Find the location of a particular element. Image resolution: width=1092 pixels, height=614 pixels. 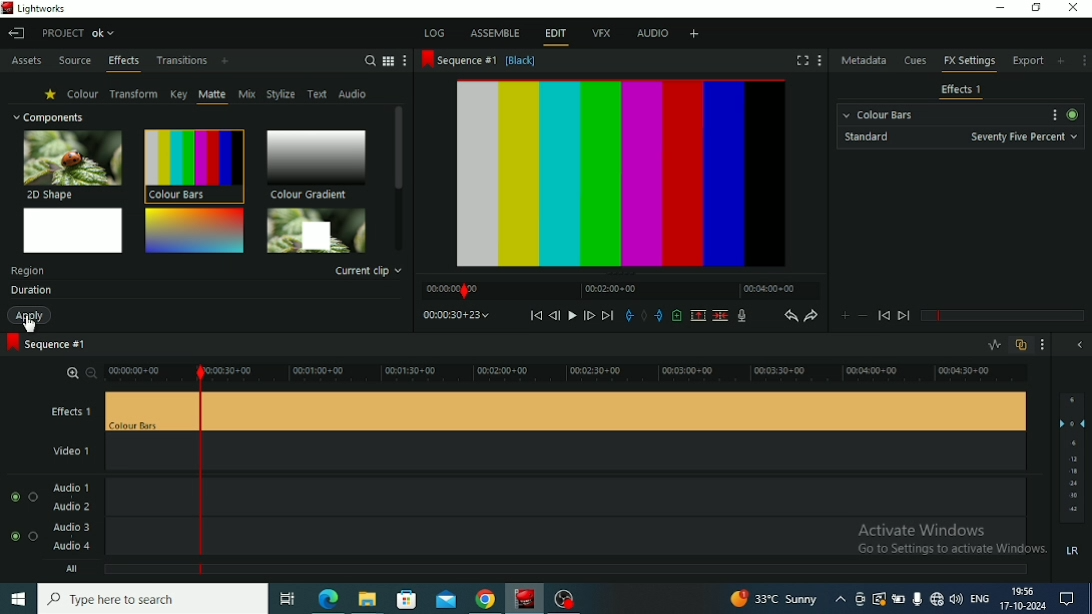

Audio is located at coordinates (652, 35).